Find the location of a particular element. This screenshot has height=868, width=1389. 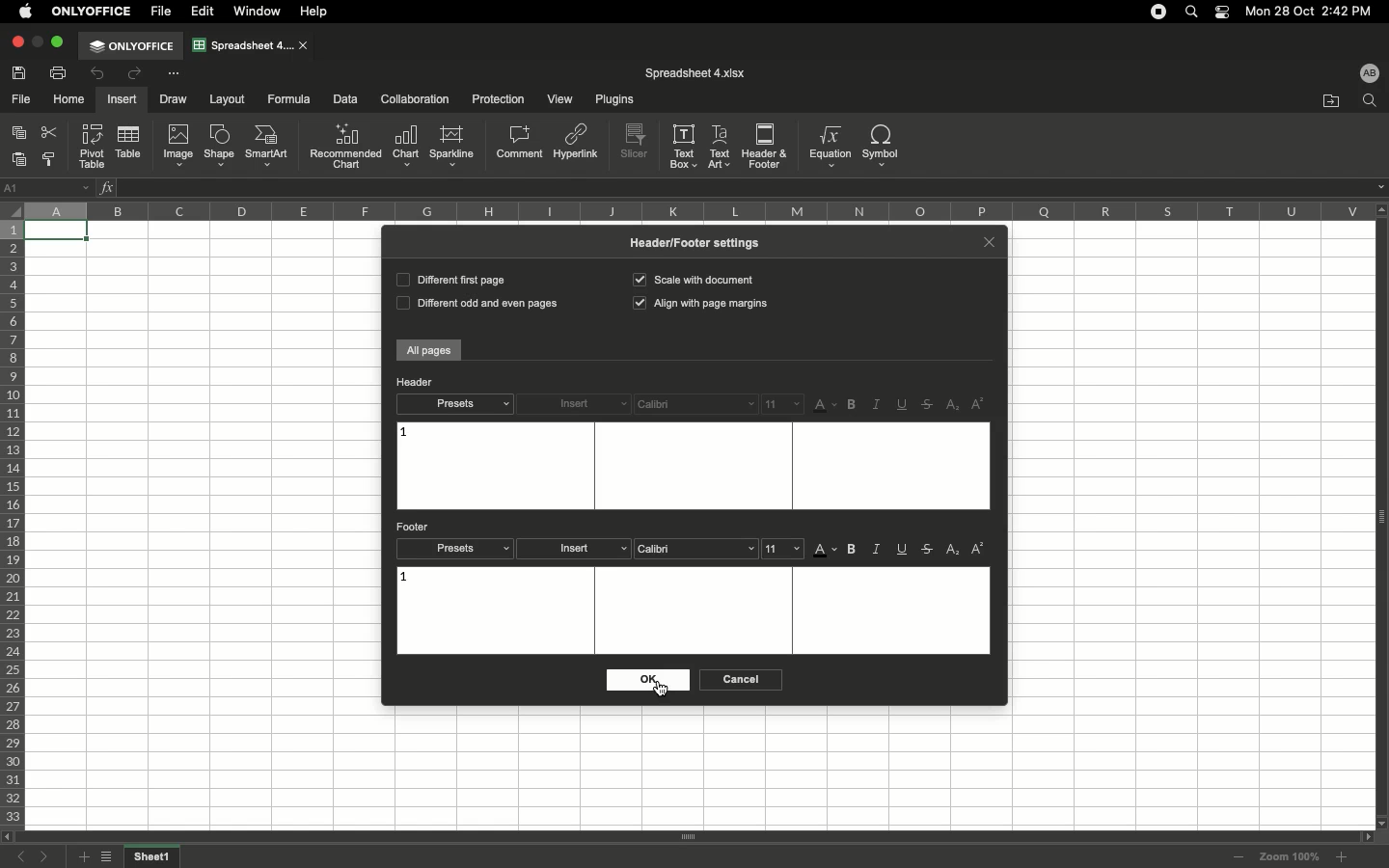

Selecting OK is located at coordinates (645, 680).